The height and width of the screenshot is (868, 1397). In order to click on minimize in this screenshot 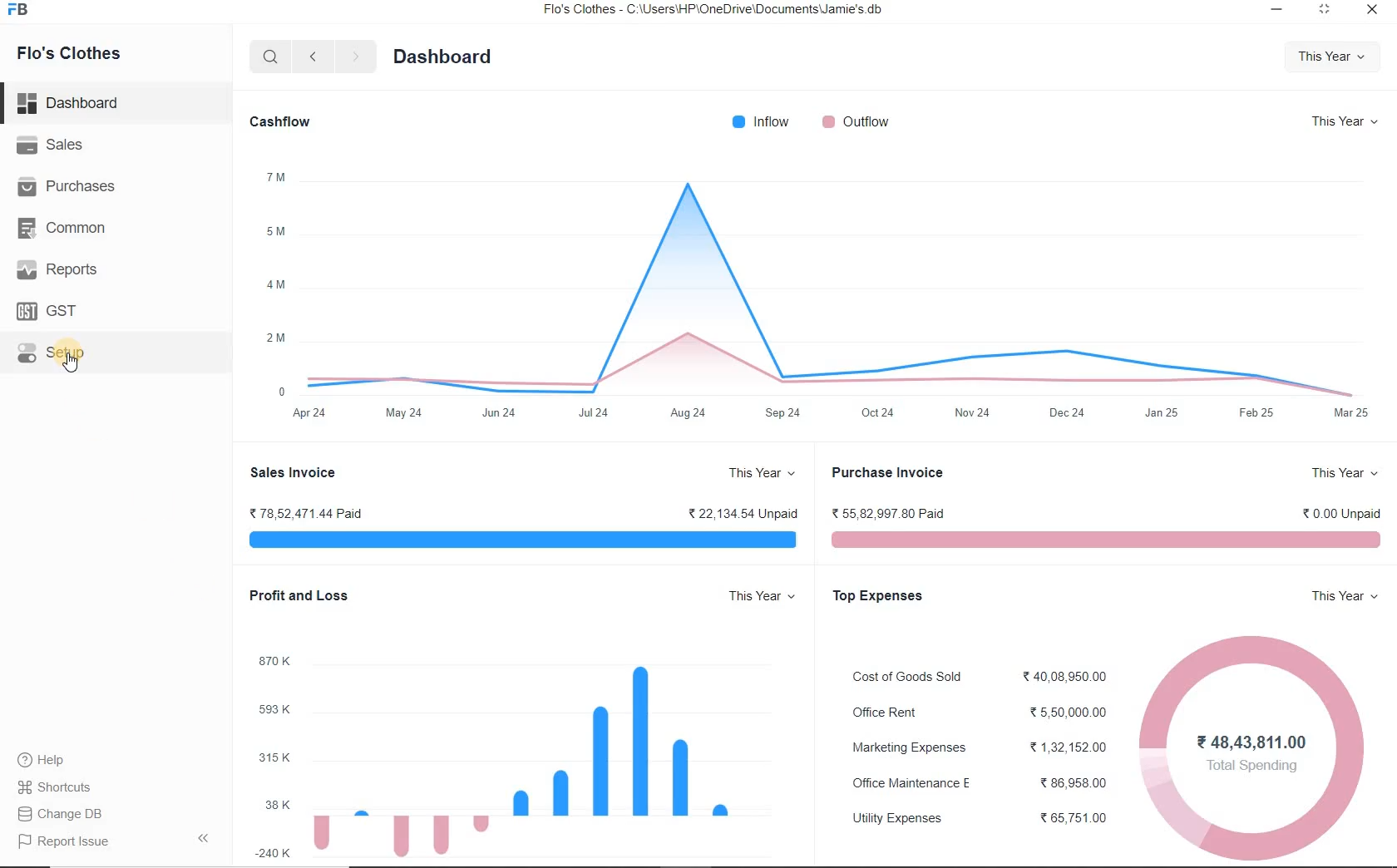, I will do `click(1281, 13)`.